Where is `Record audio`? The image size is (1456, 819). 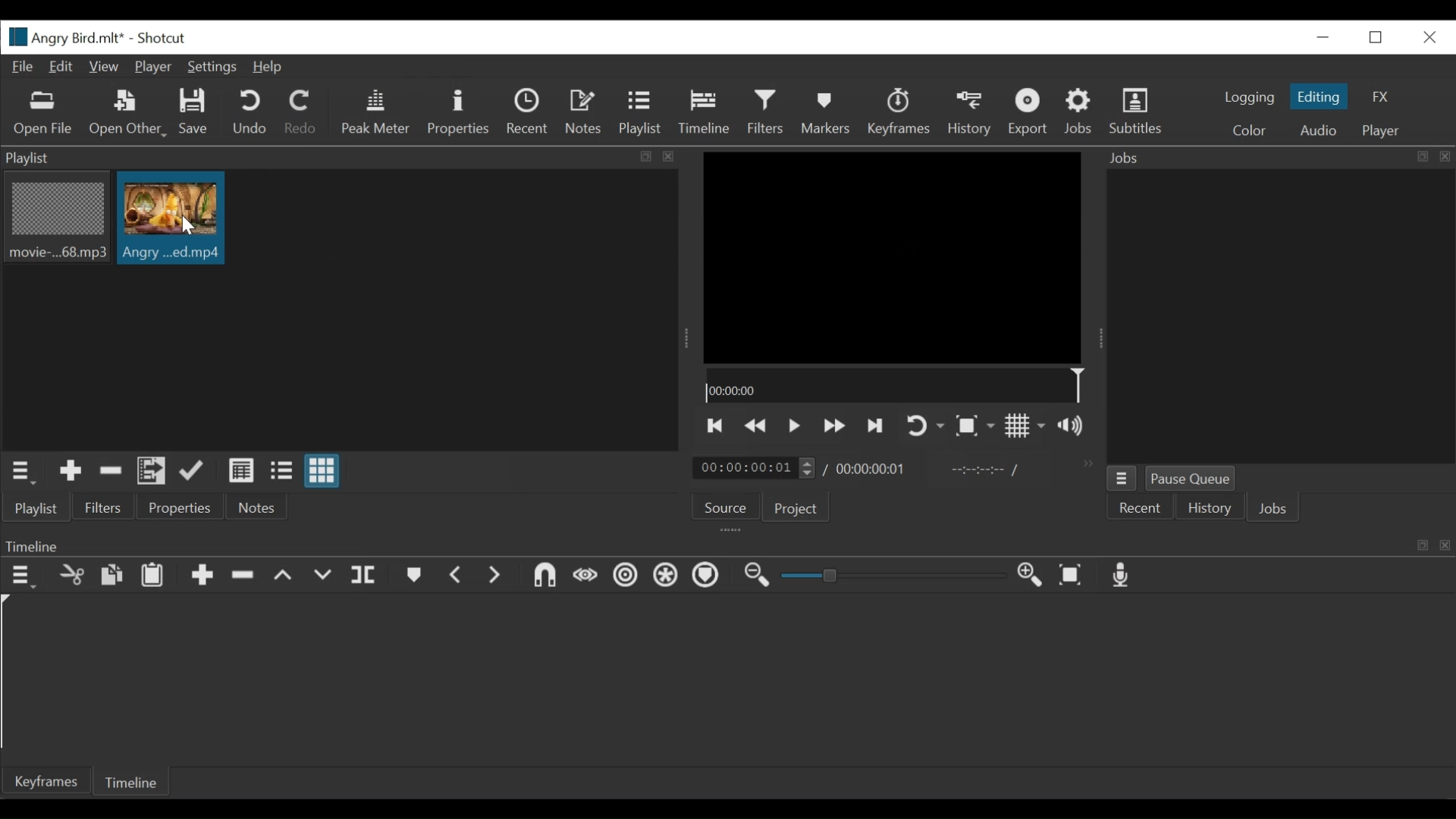 Record audio is located at coordinates (1123, 576).